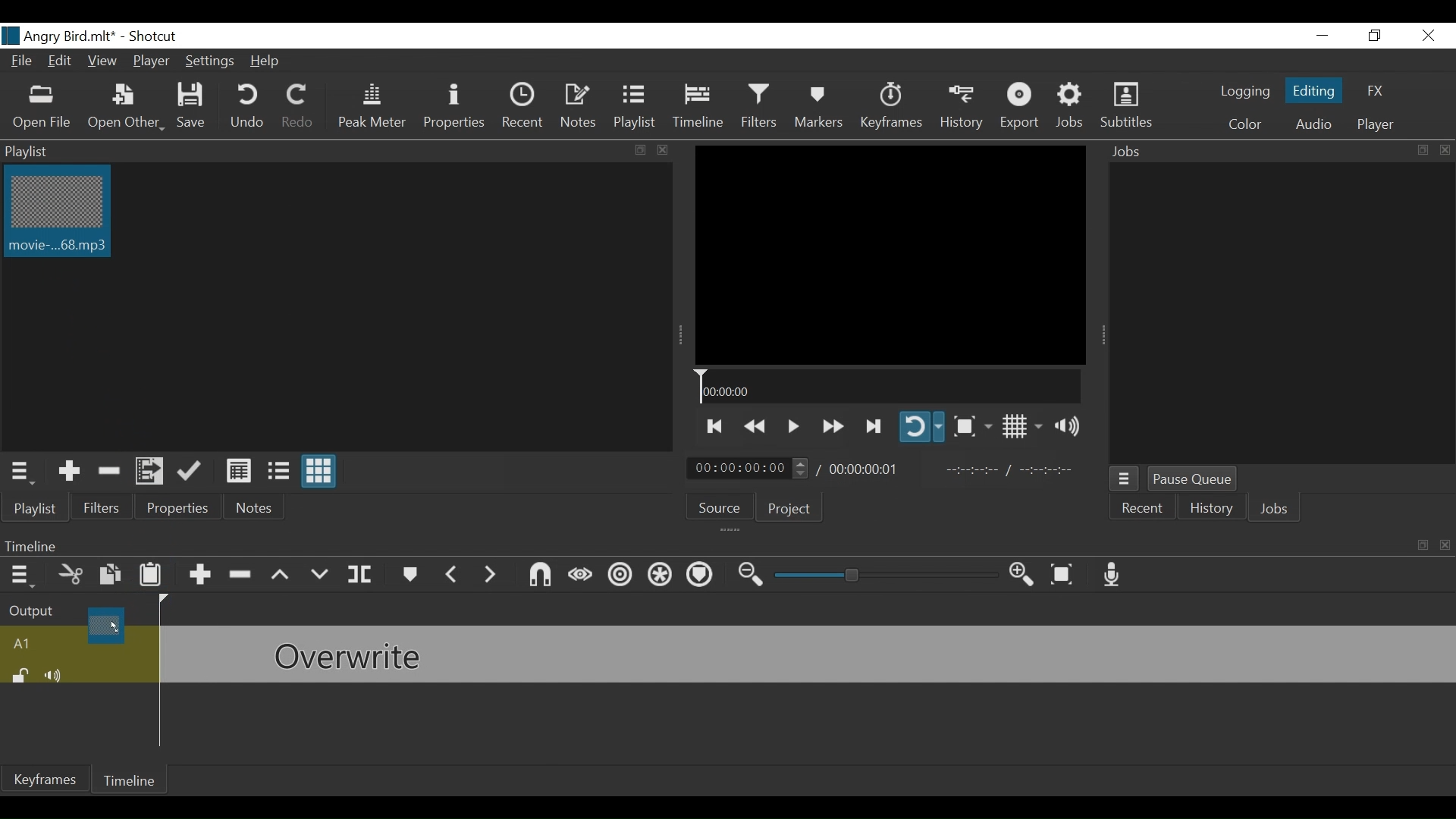 Image resolution: width=1456 pixels, height=819 pixels. Describe the element at coordinates (1071, 428) in the screenshot. I see `Show volume control` at that location.